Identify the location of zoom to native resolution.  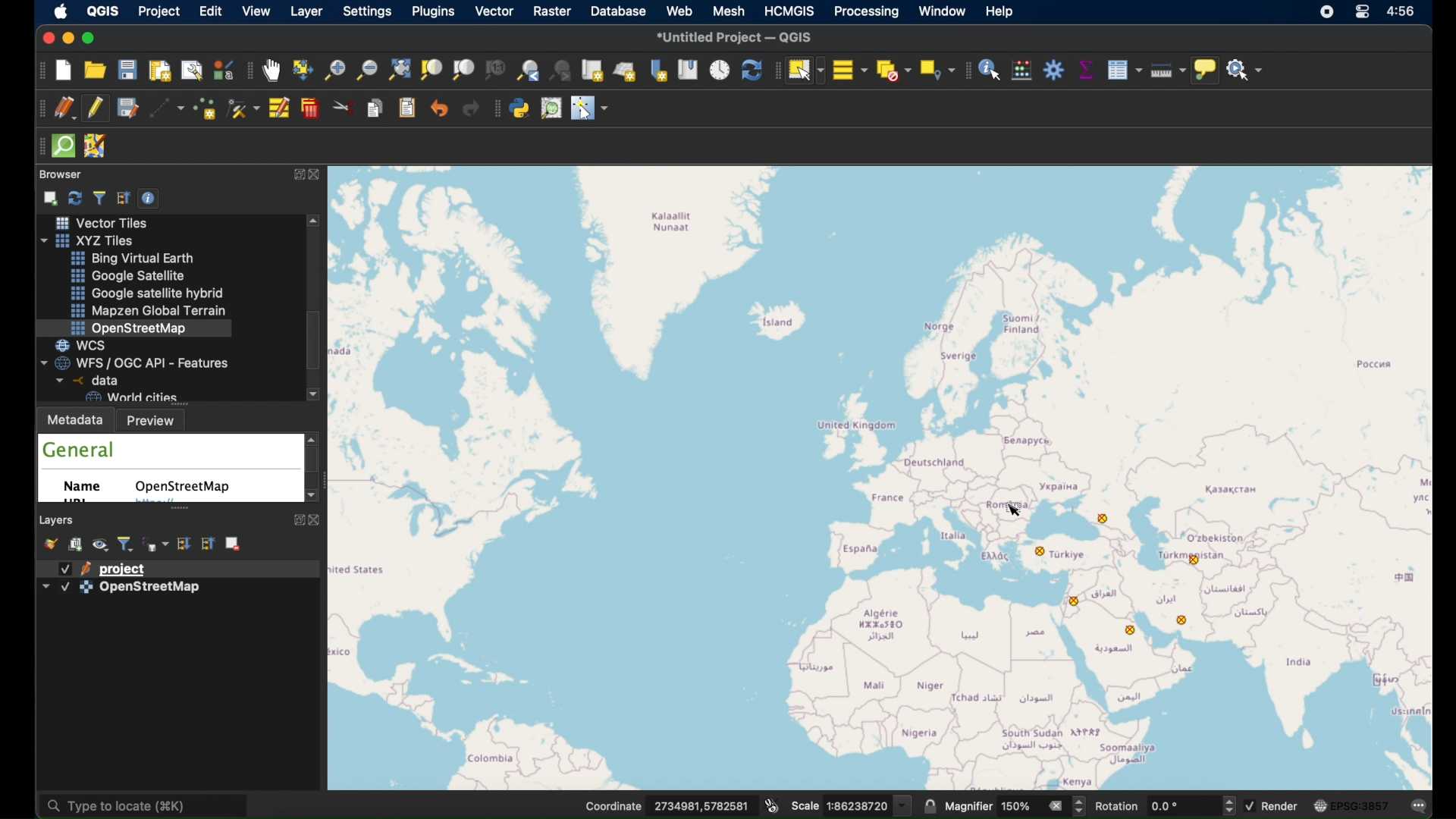
(497, 71).